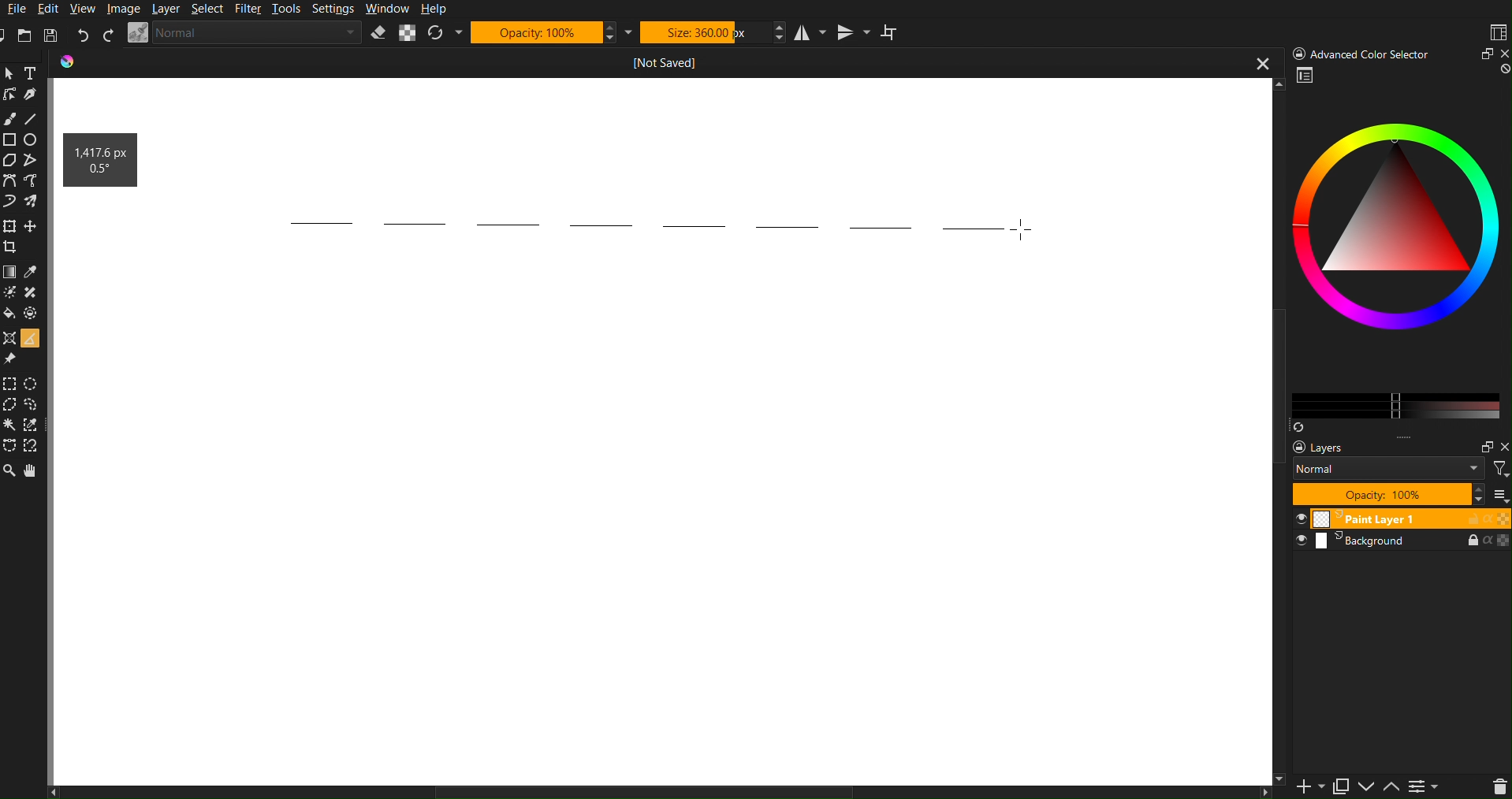 Image resolution: width=1512 pixels, height=799 pixels. I want to click on Save, so click(49, 35).